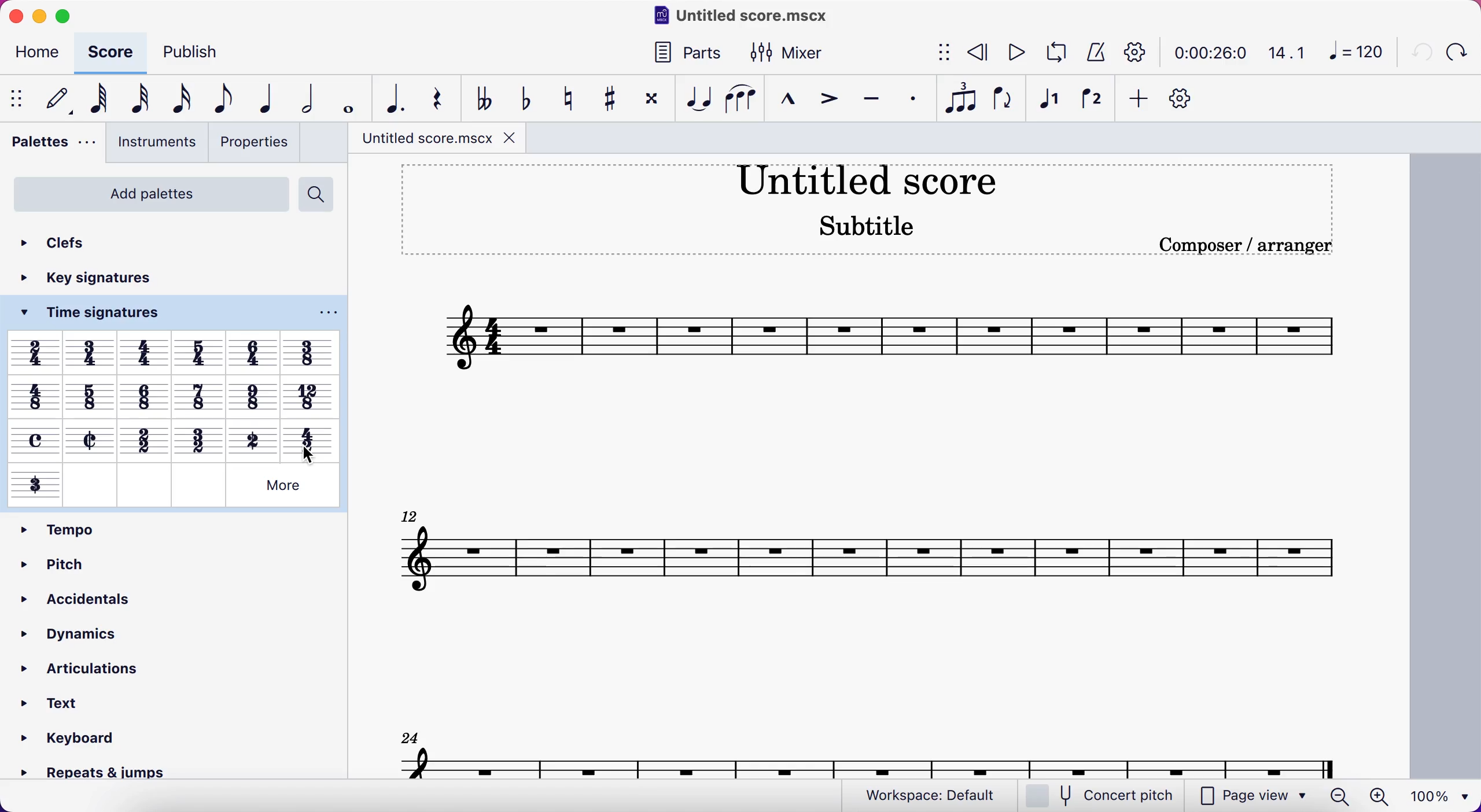 This screenshot has height=812, width=1481. I want to click on whole note, so click(349, 98).